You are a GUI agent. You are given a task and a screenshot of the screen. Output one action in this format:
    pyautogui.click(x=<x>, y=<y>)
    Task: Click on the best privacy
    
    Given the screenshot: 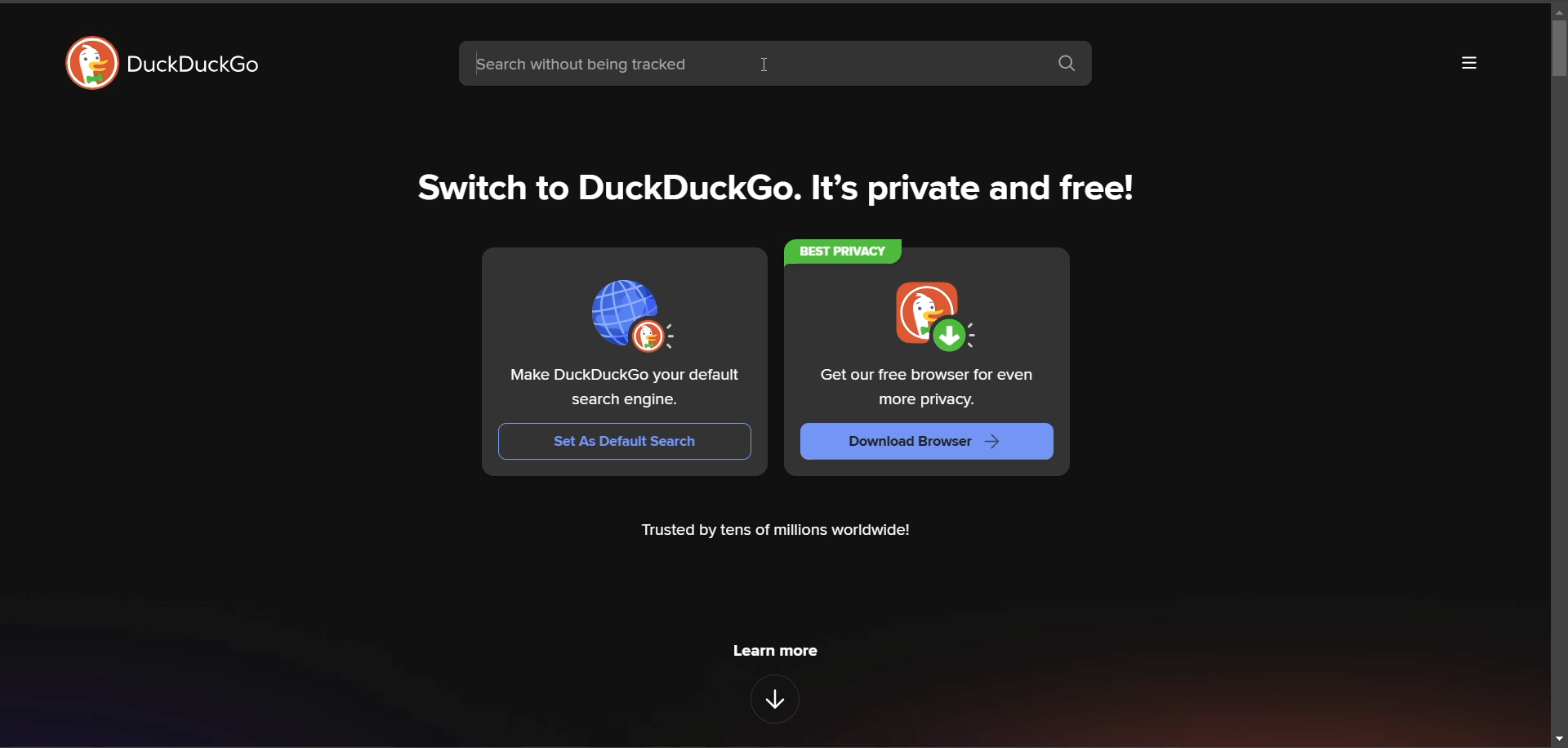 What is the action you would take?
    pyautogui.click(x=846, y=252)
    